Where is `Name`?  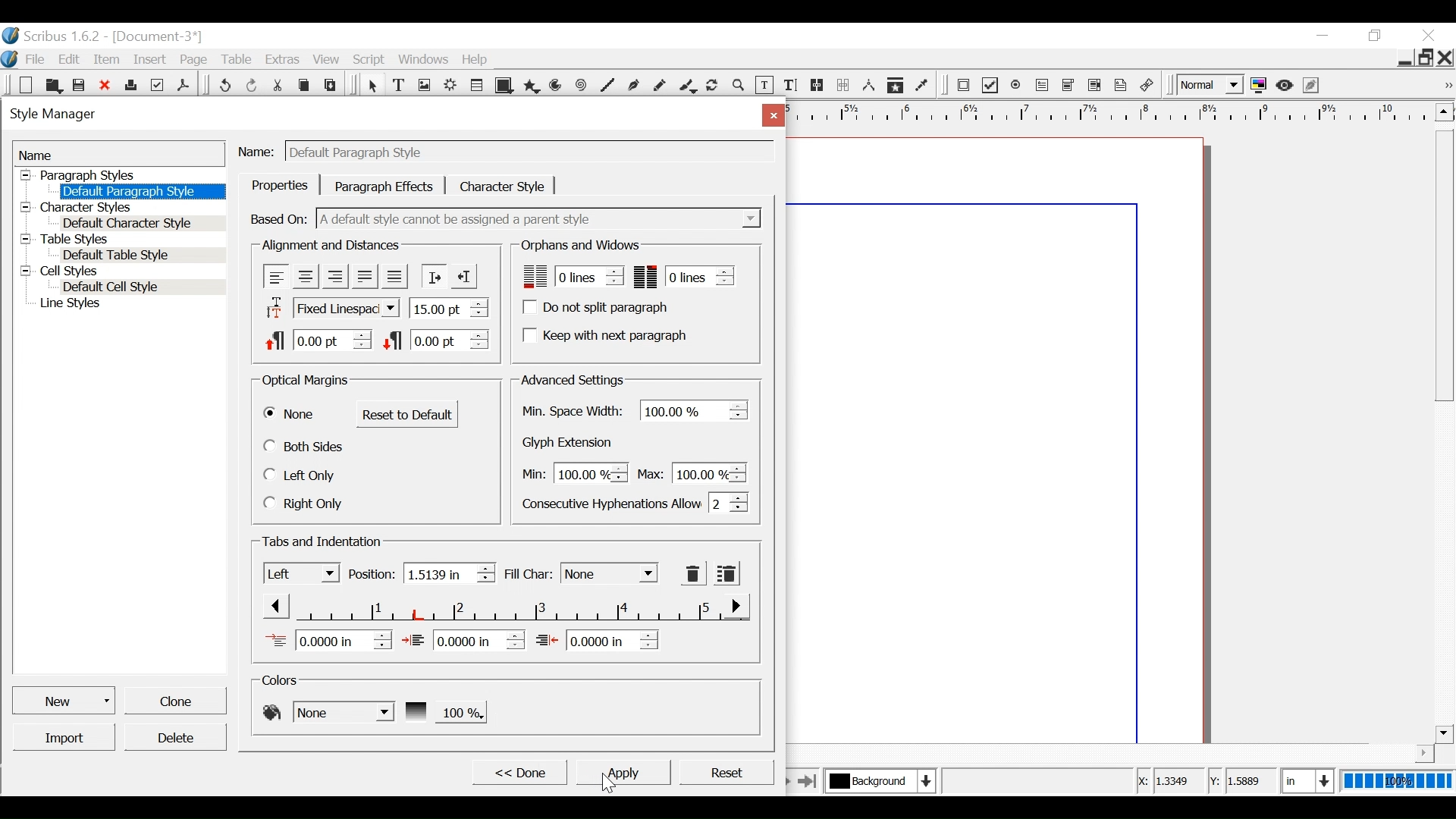
Name is located at coordinates (259, 149).